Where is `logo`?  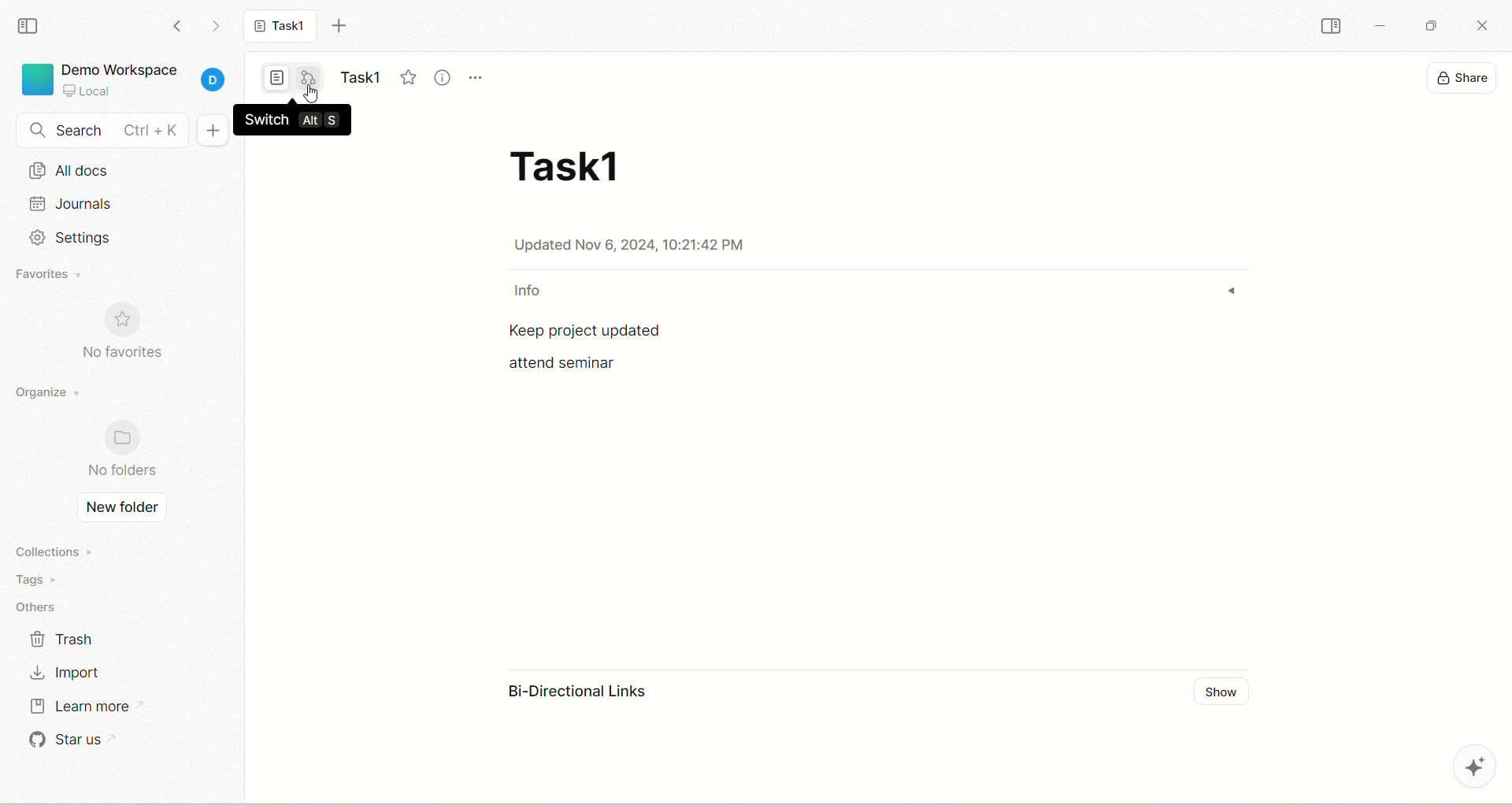
logo is located at coordinates (35, 79).